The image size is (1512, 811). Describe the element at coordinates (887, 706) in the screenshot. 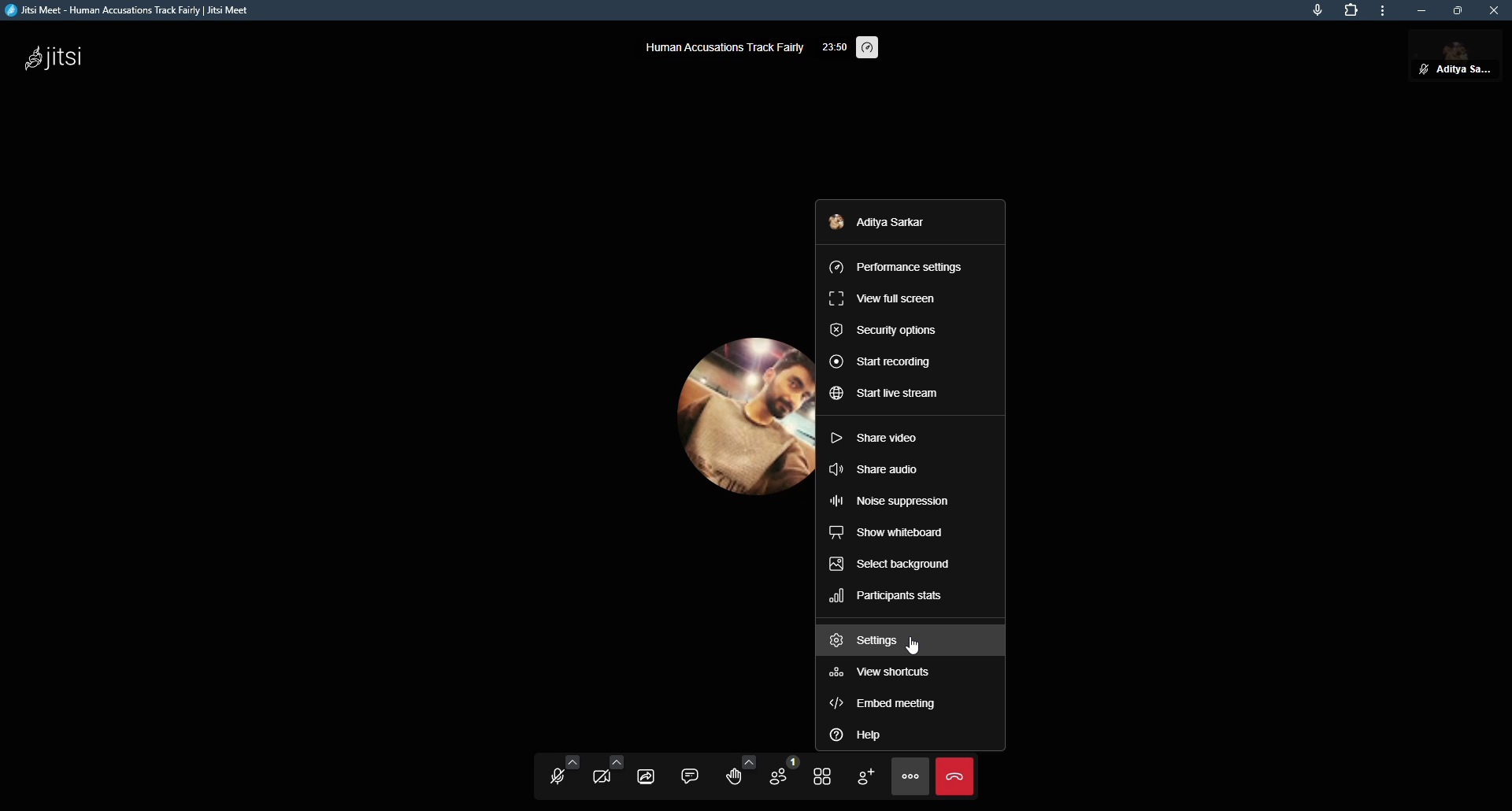

I see `embed meeting` at that location.